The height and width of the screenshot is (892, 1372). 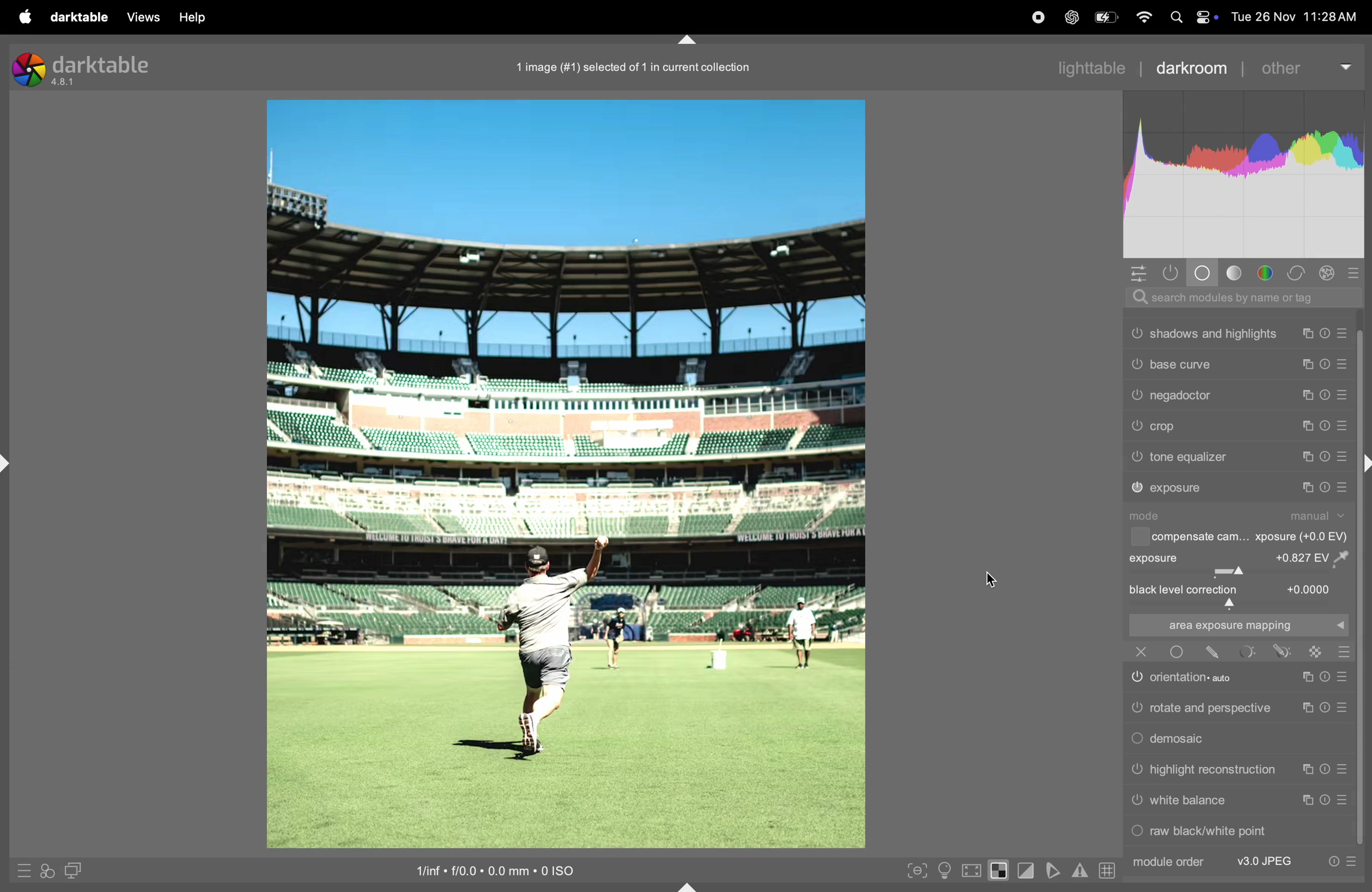 I want to click on Switch on or off, so click(x=1136, y=458).